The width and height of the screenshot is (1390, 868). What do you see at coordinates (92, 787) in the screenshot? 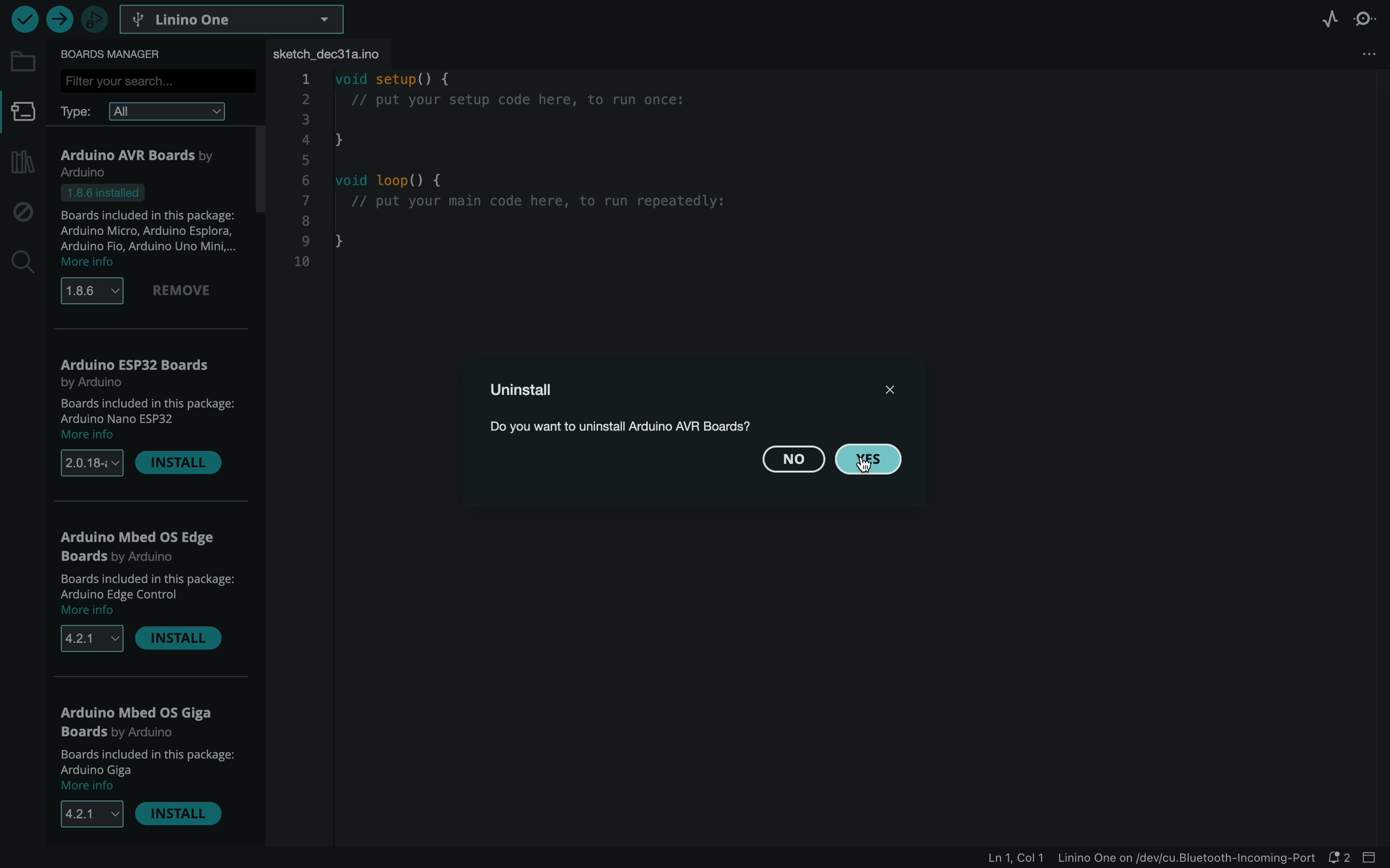
I see `more info` at bounding box center [92, 787].